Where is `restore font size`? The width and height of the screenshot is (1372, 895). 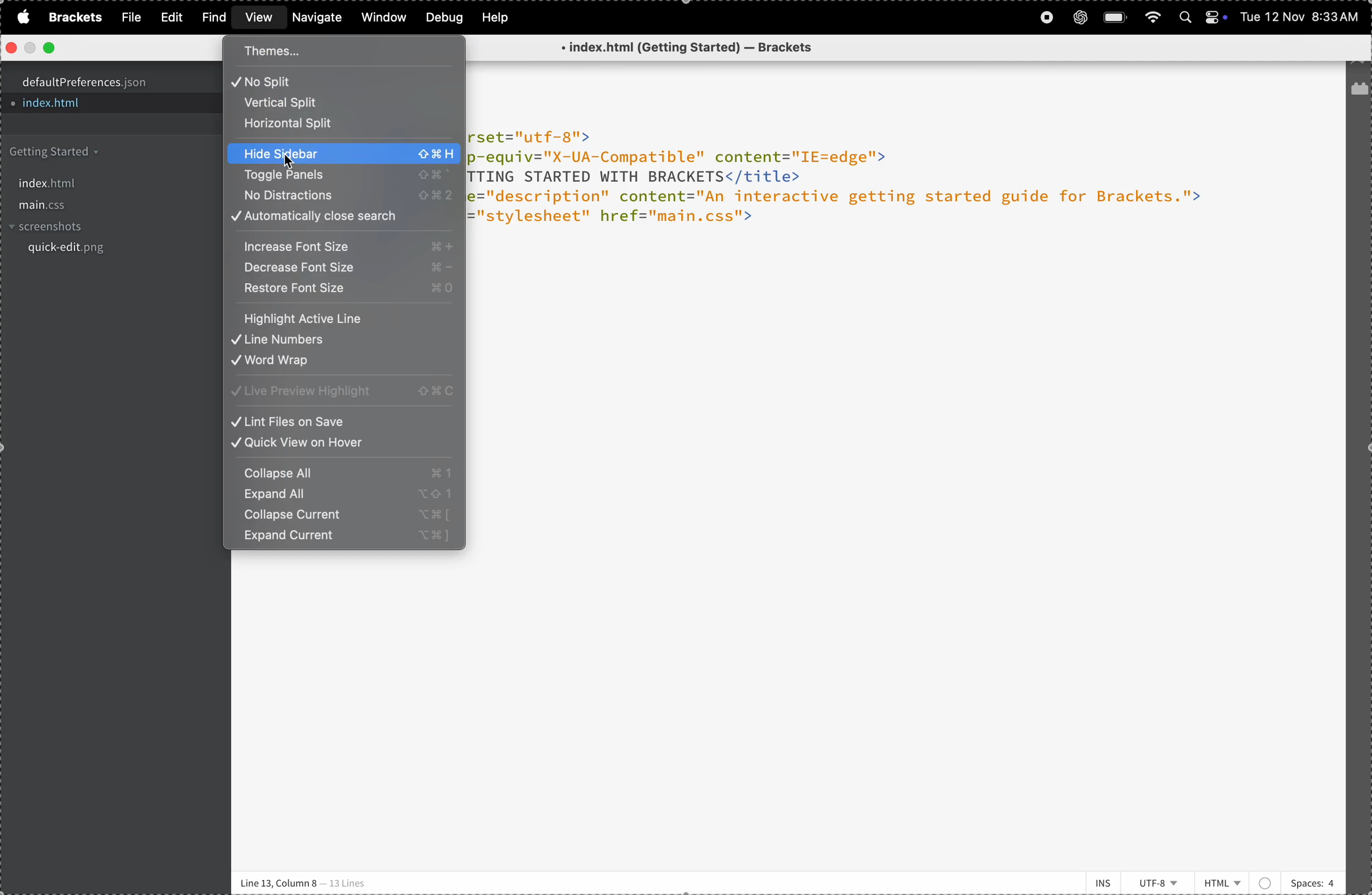
restore font size is located at coordinates (344, 292).